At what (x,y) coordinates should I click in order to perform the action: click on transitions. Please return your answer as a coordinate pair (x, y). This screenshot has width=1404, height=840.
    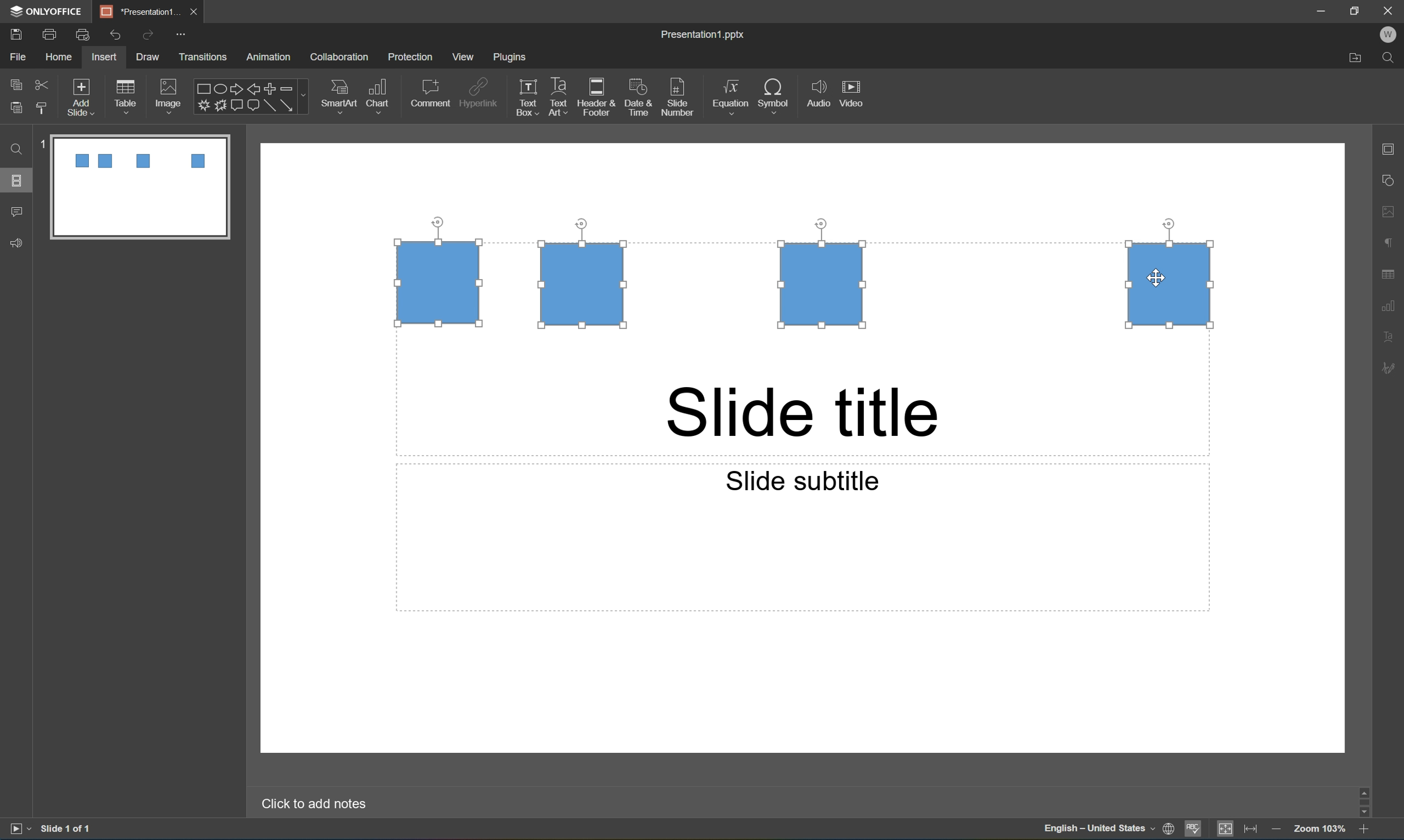
    Looking at the image, I should click on (204, 57).